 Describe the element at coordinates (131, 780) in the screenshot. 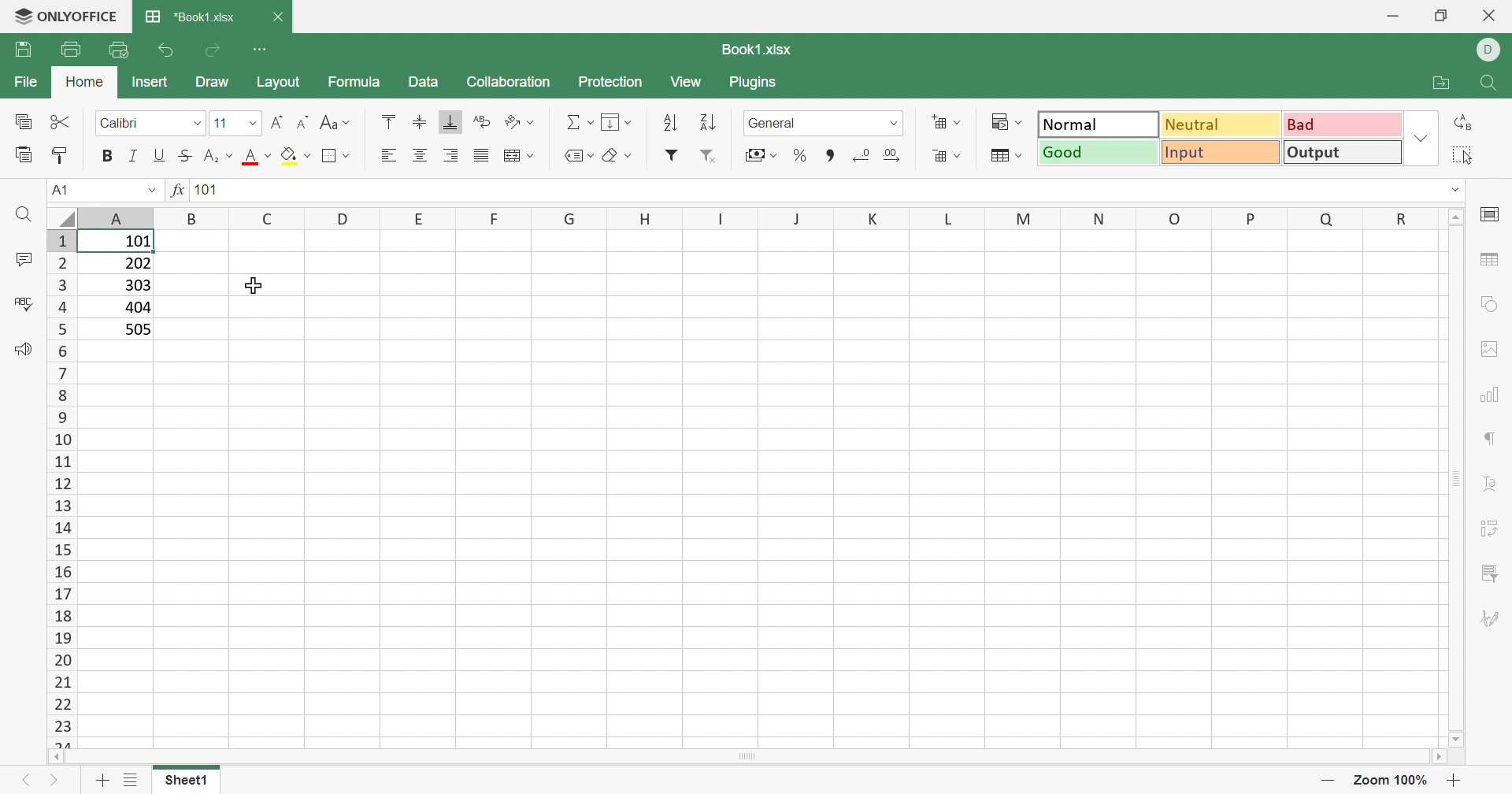

I see `List of sheets` at that location.